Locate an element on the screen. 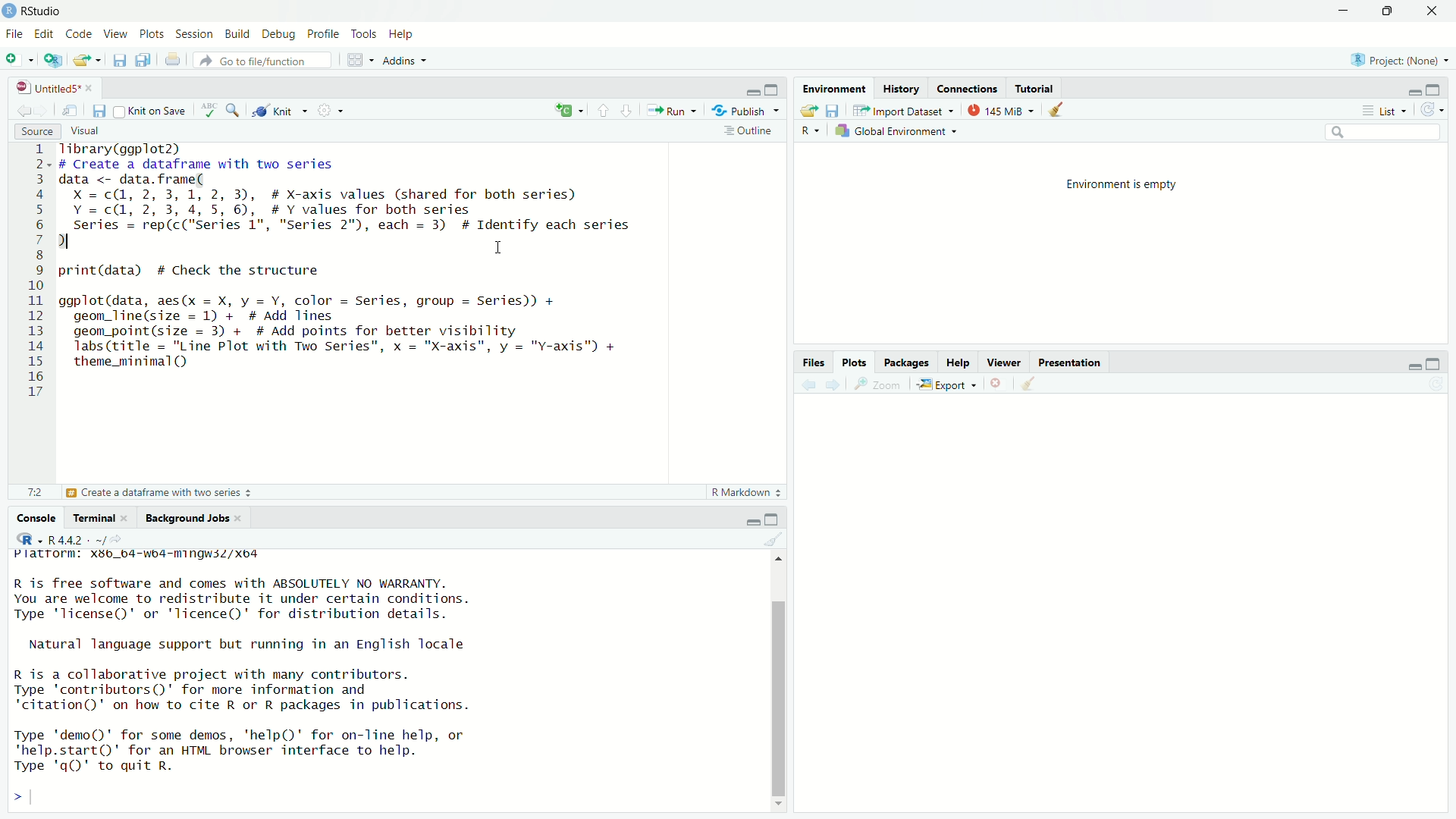 The image size is (1456, 819). Load workspace is located at coordinates (809, 111).